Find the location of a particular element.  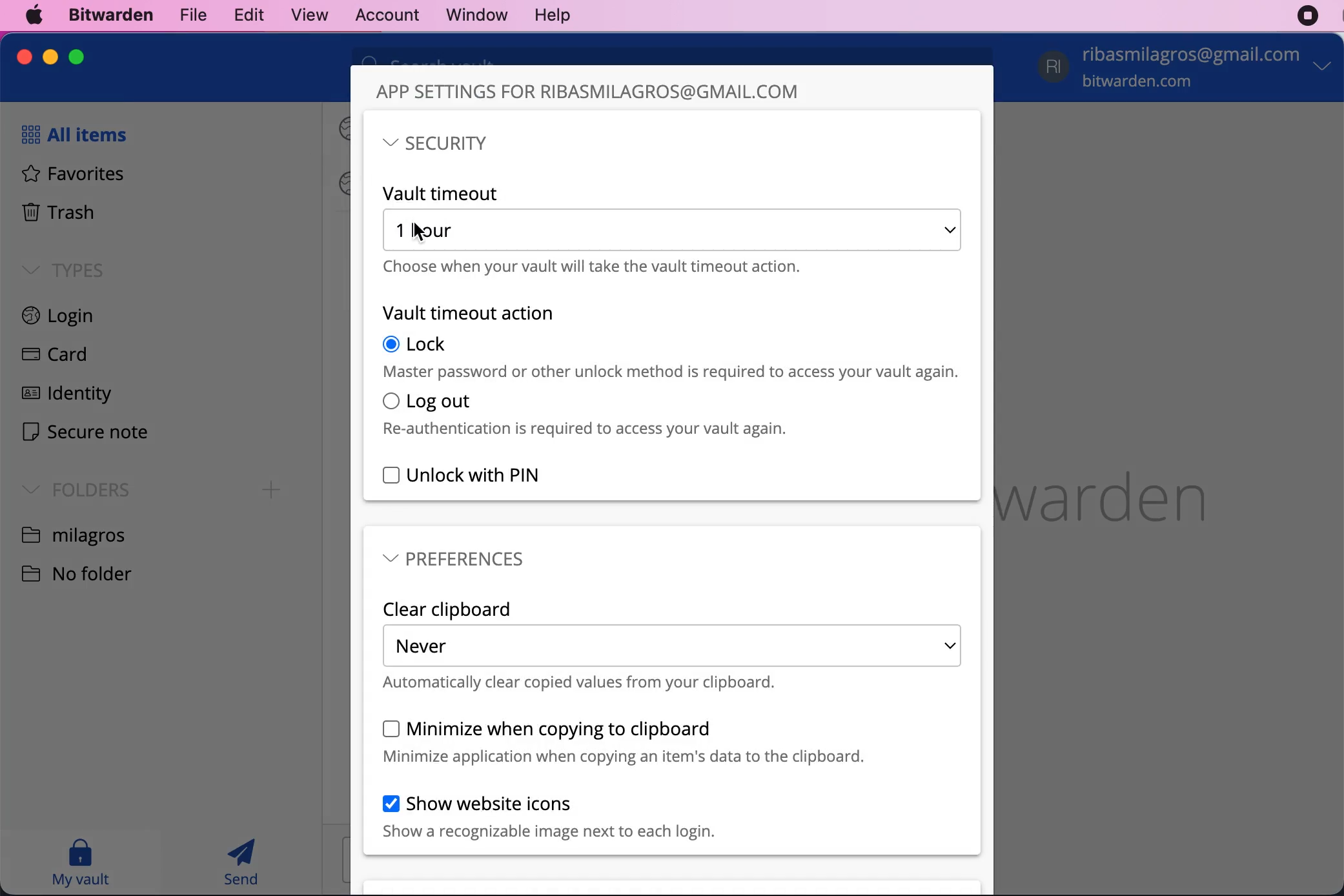

app settings is located at coordinates (589, 92).